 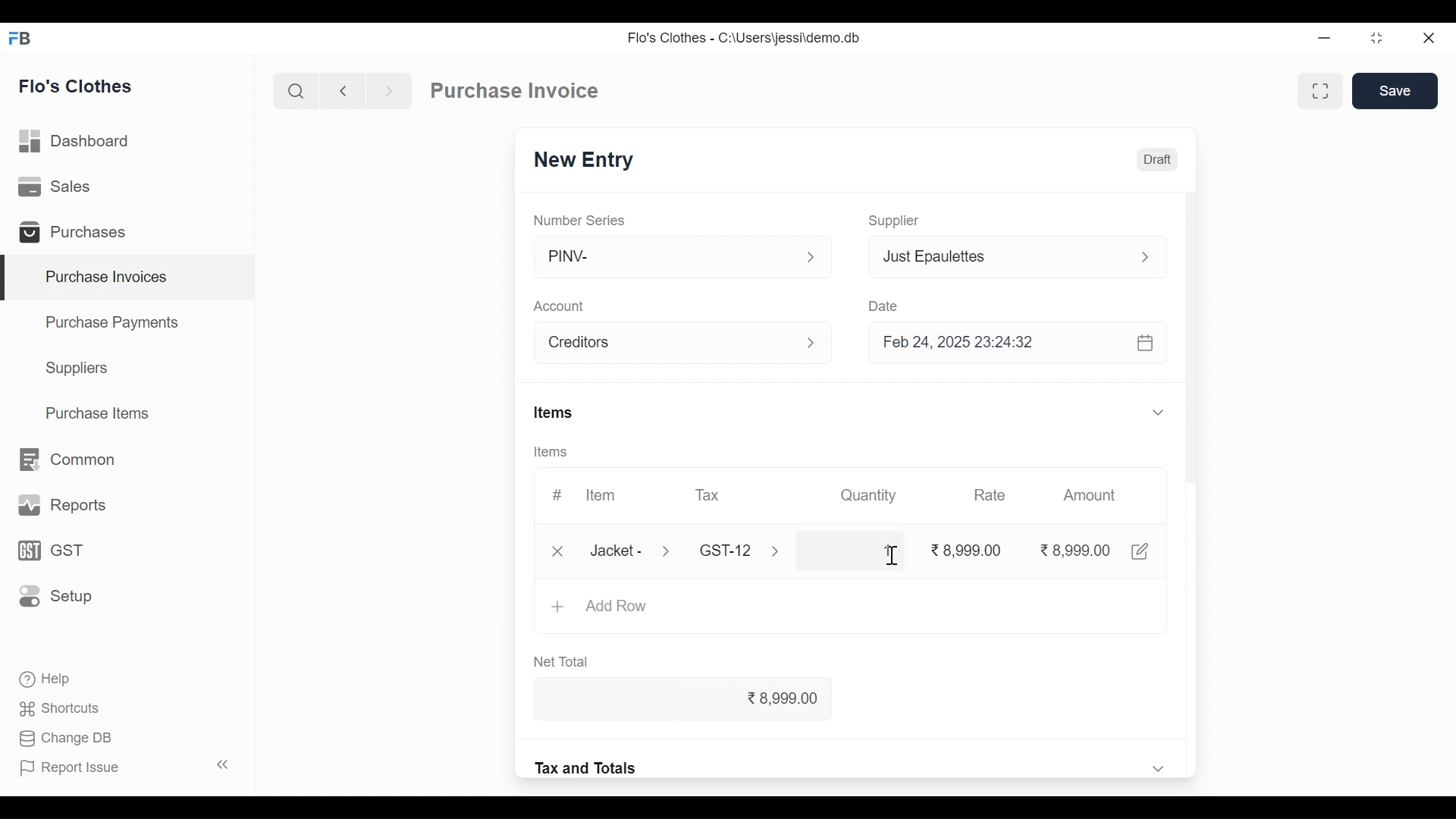 What do you see at coordinates (77, 233) in the screenshot?
I see `Purchases` at bounding box center [77, 233].